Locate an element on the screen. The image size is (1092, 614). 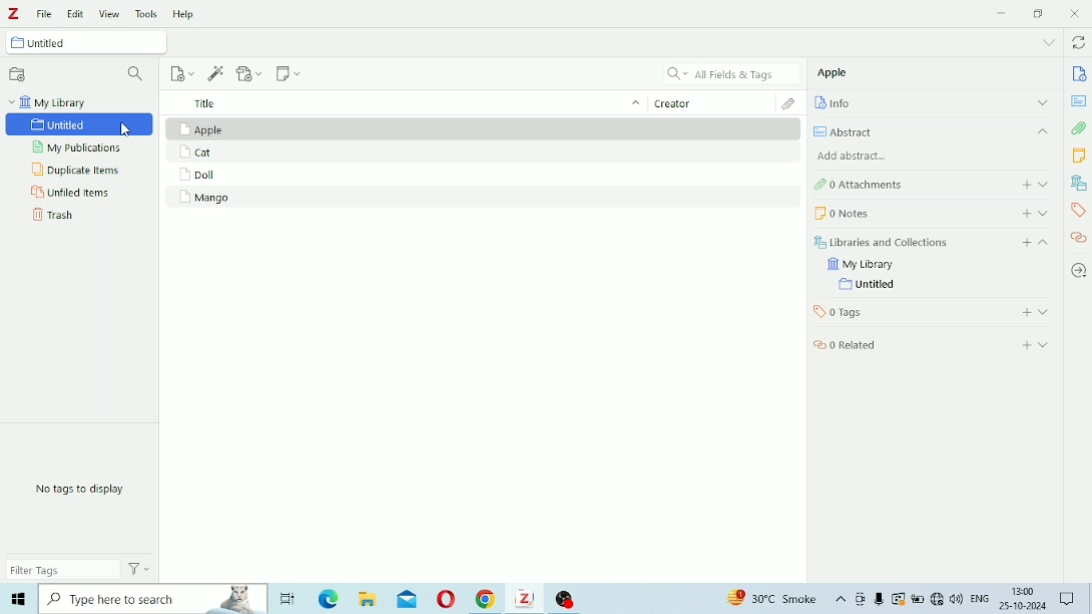
Cat is located at coordinates (199, 152).